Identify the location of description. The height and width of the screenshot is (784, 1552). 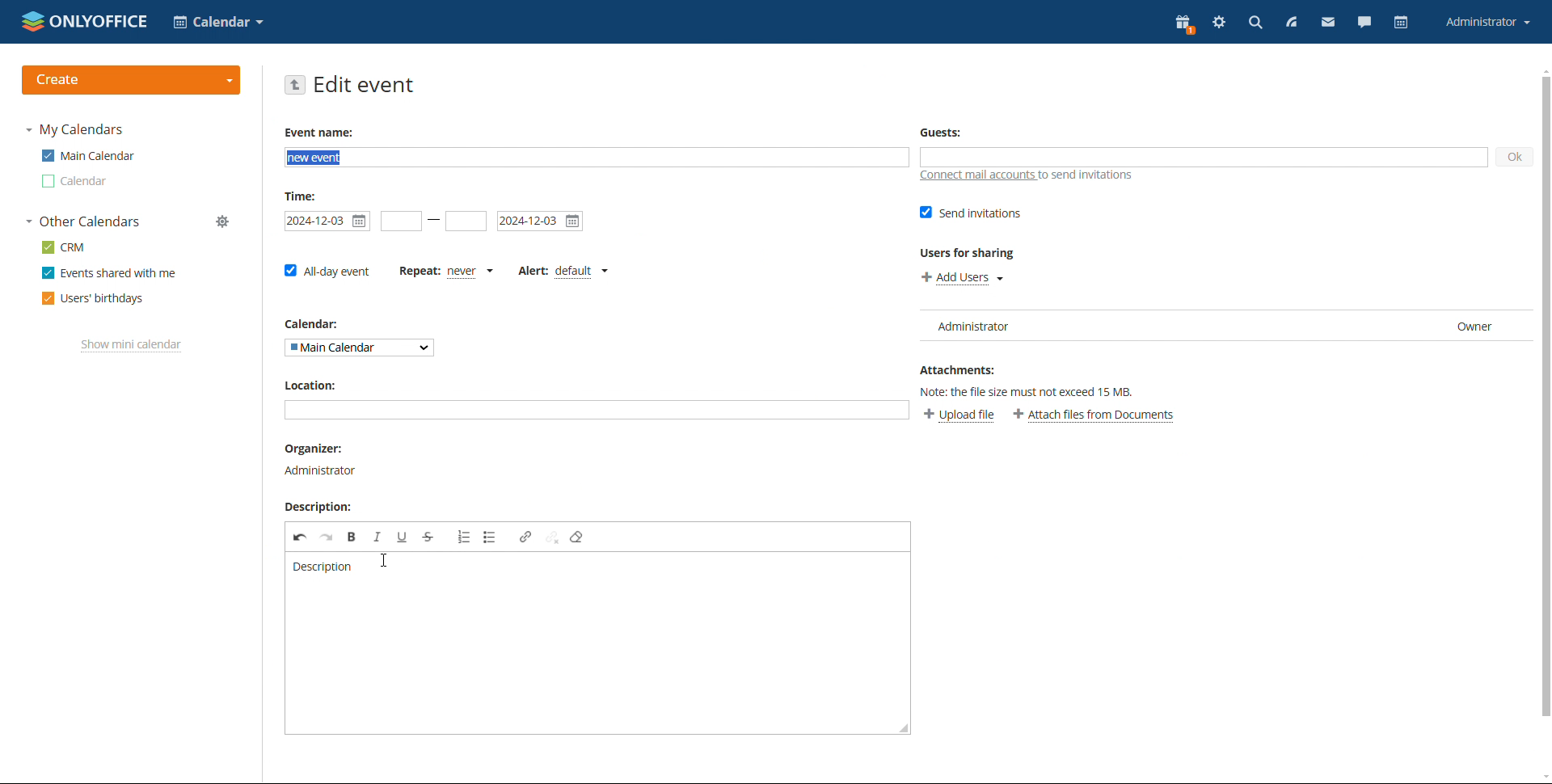
(324, 567).